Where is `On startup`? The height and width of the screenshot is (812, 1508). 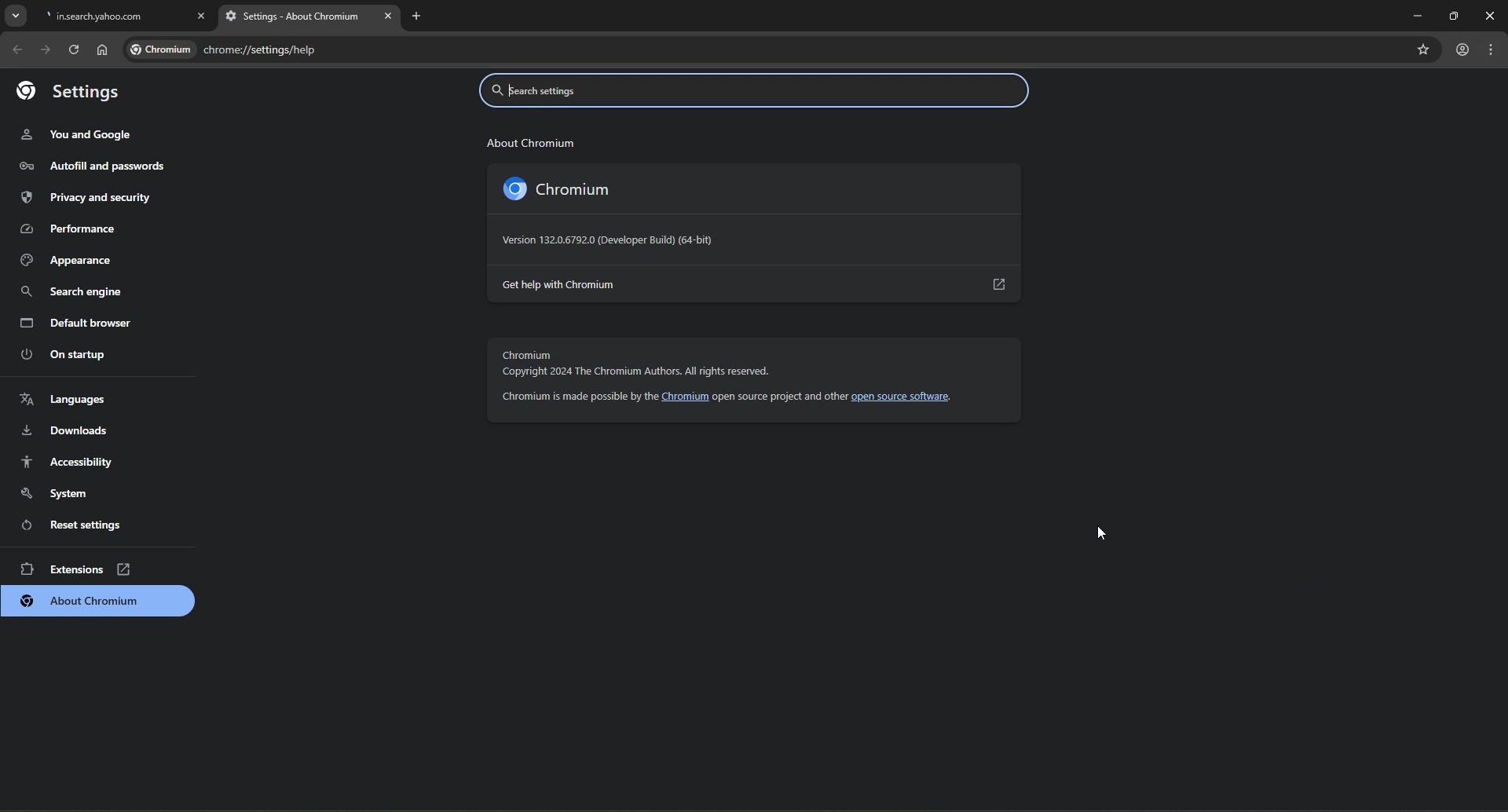 On startup is located at coordinates (80, 354).